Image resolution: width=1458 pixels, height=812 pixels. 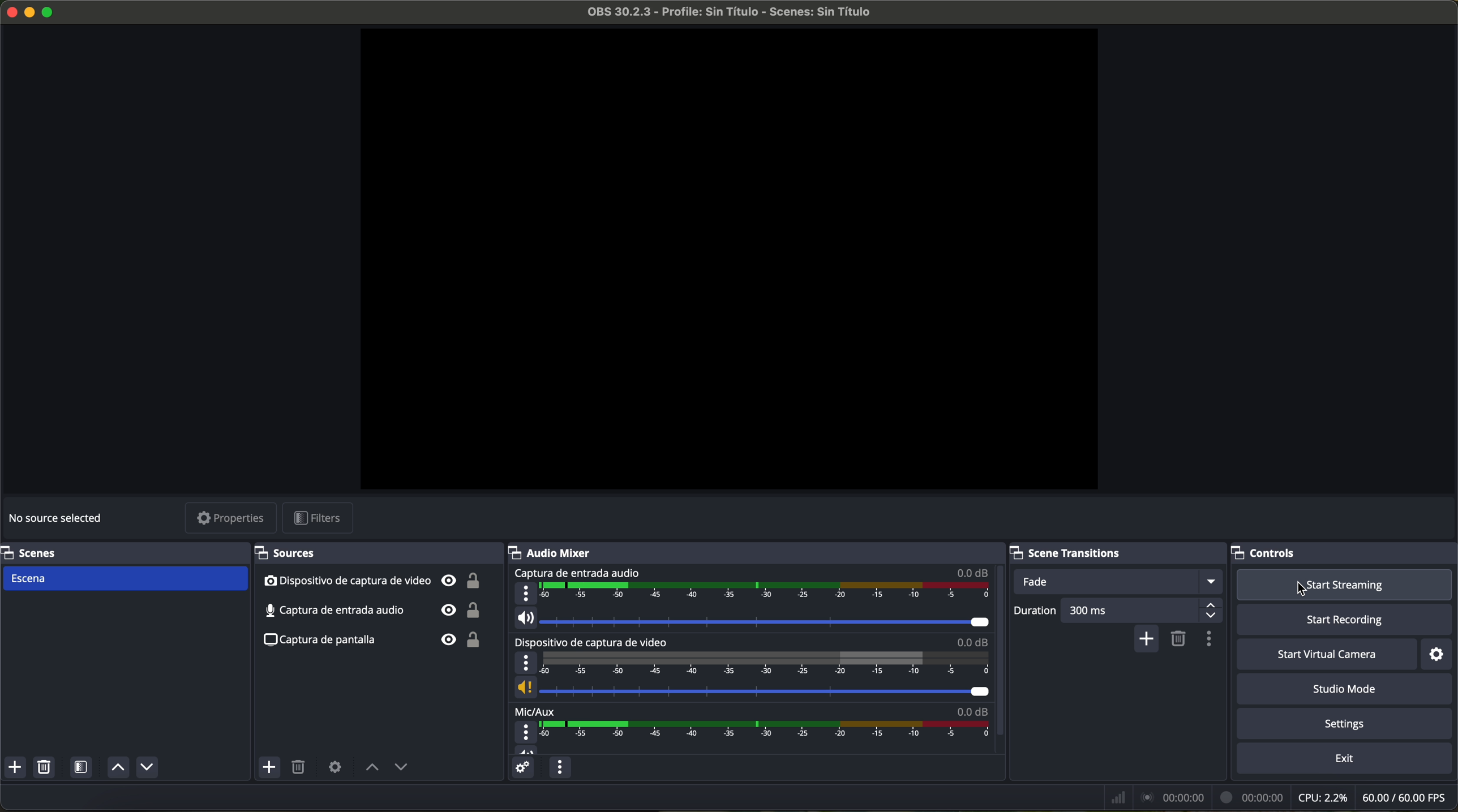 What do you see at coordinates (998, 651) in the screenshot?
I see `scroll bar` at bounding box center [998, 651].